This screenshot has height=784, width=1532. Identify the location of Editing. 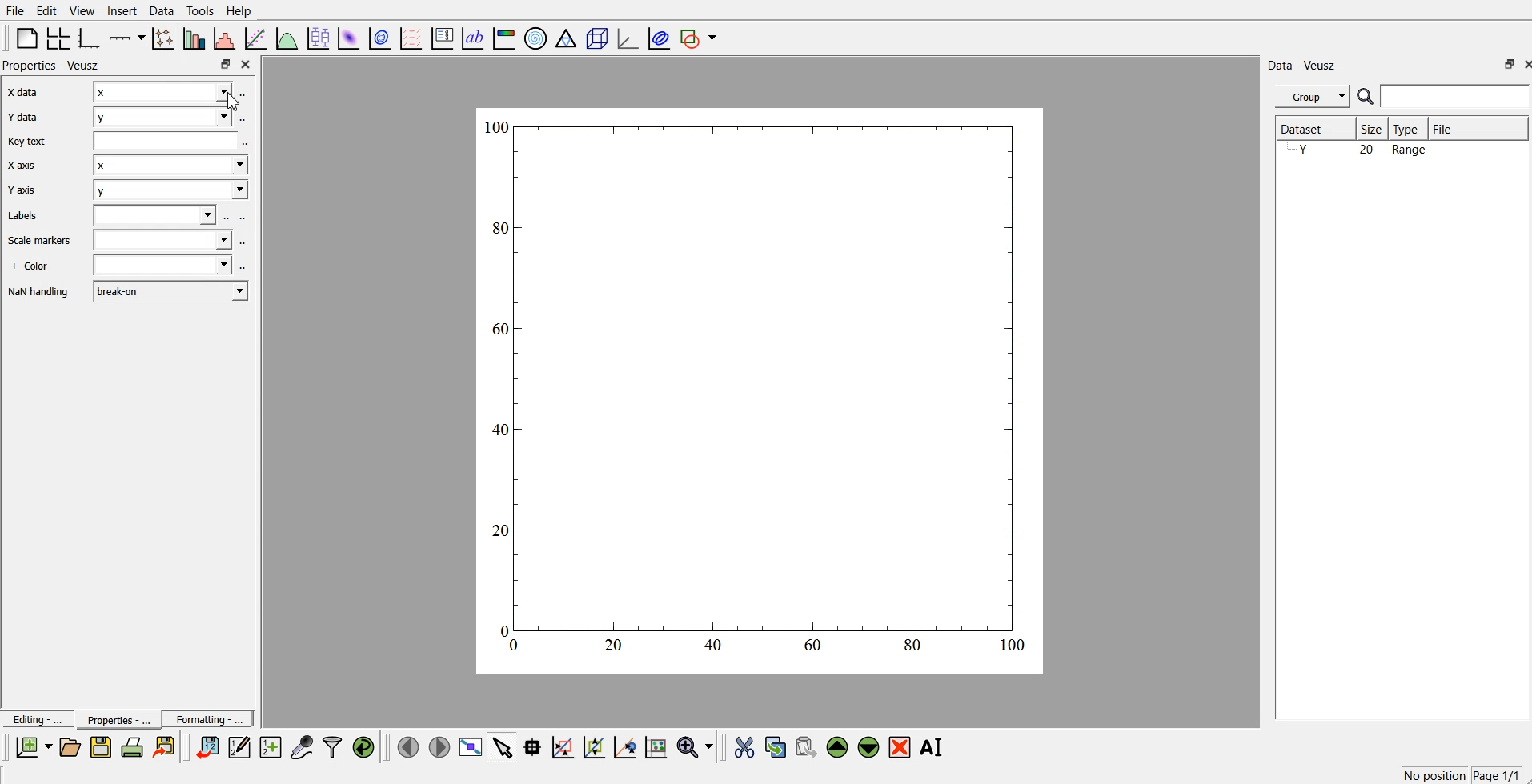
(36, 718).